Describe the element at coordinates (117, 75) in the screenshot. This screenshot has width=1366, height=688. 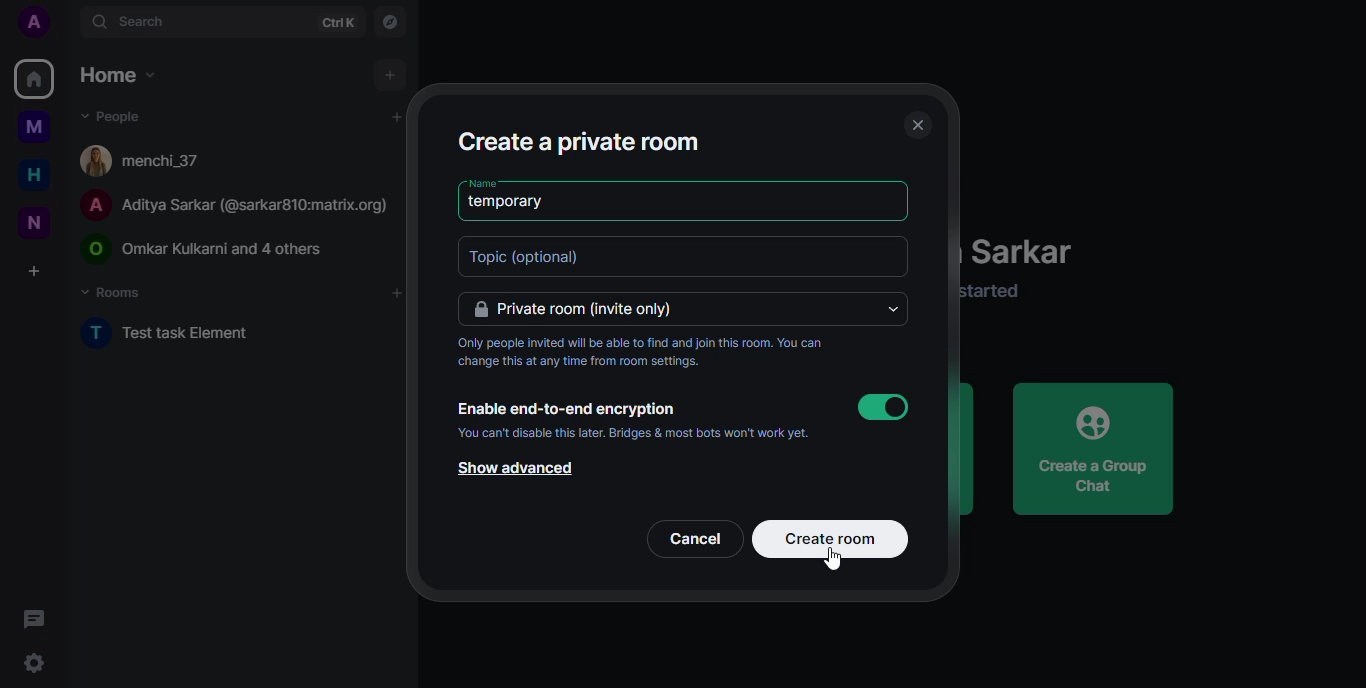
I see `home` at that location.